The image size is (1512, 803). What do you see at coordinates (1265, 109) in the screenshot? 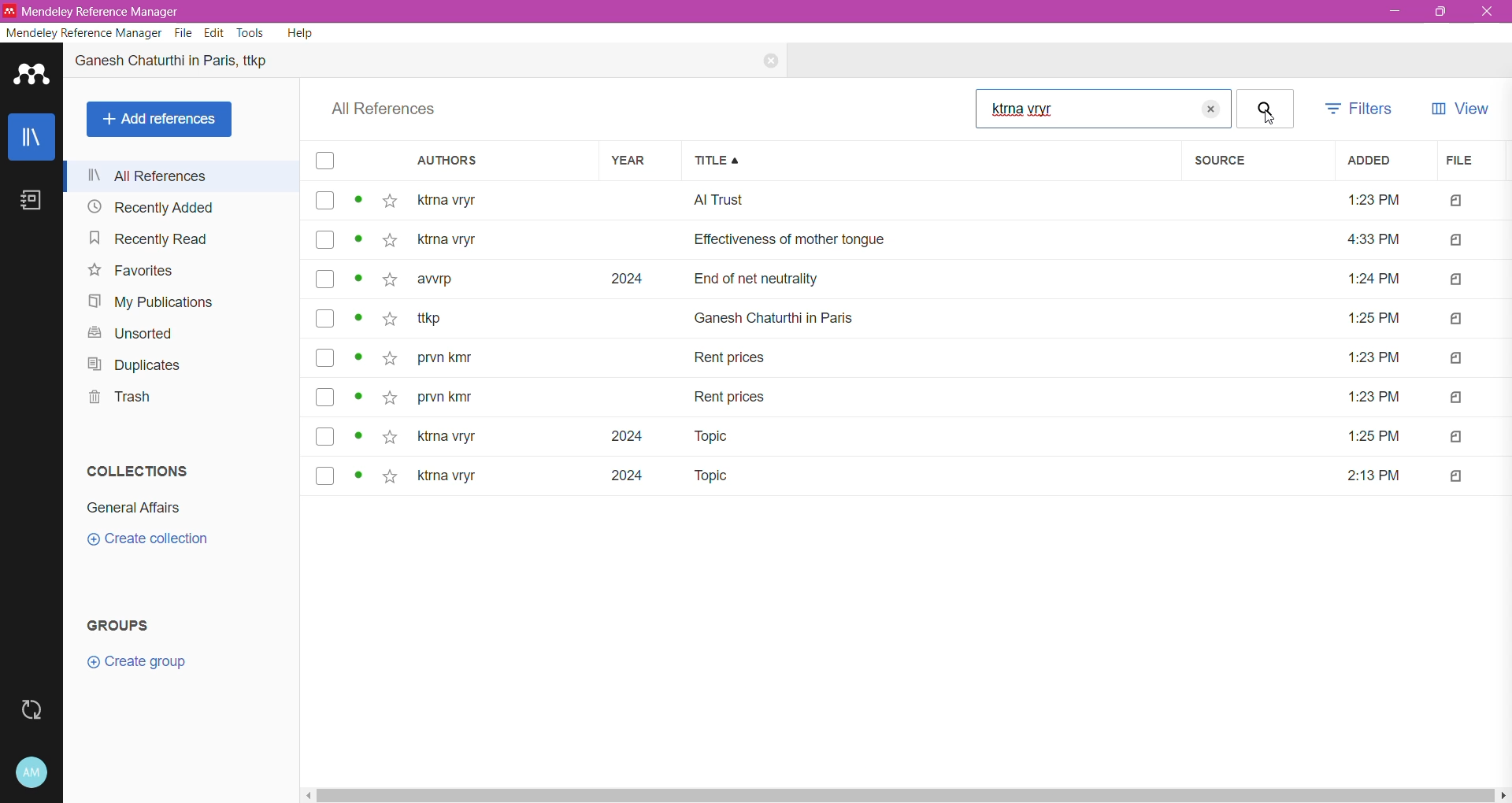
I see `Click to Search` at bounding box center [1265, 109].